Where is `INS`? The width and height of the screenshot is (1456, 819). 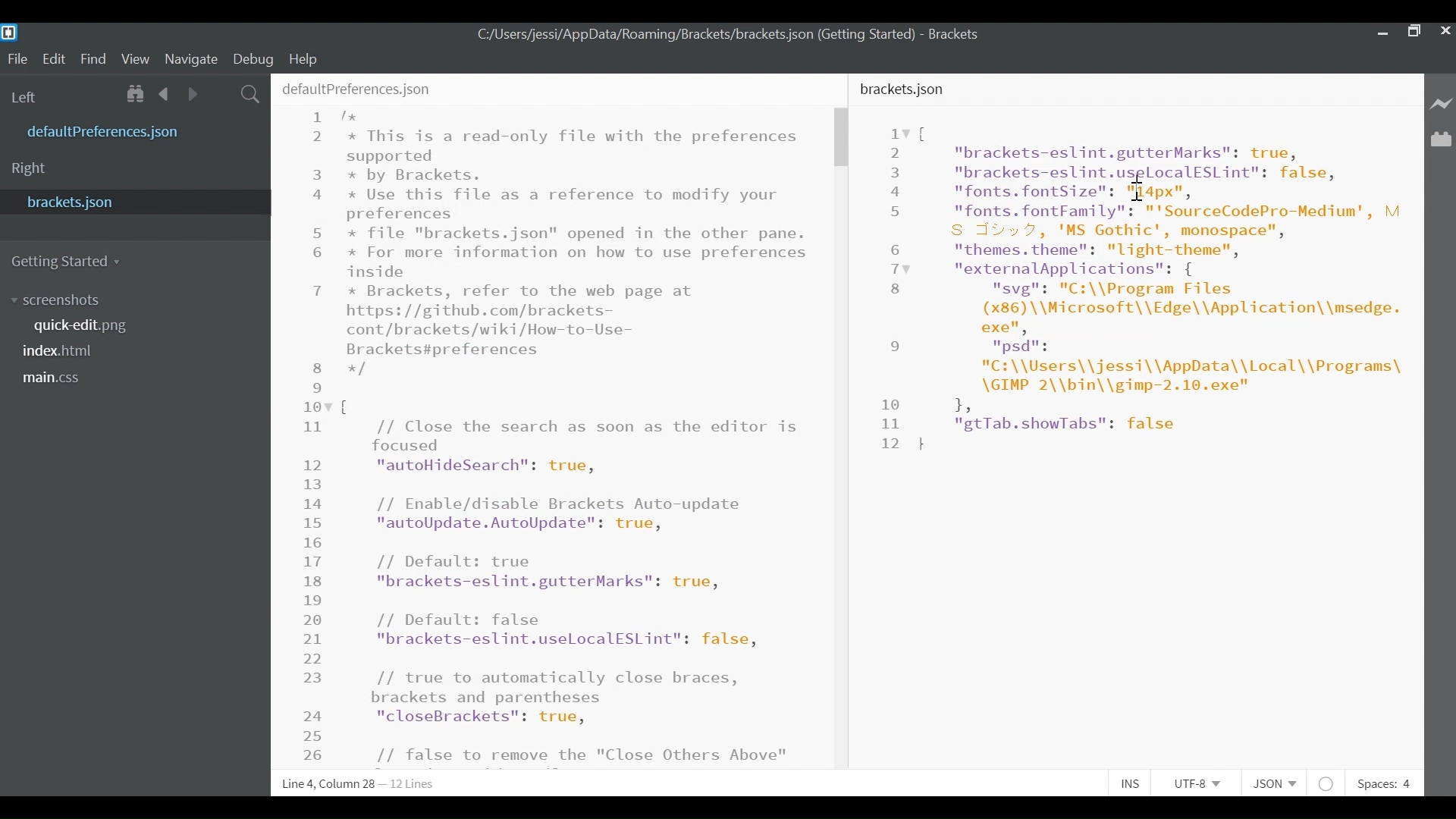 INS is located at coordinates (1131, 781).